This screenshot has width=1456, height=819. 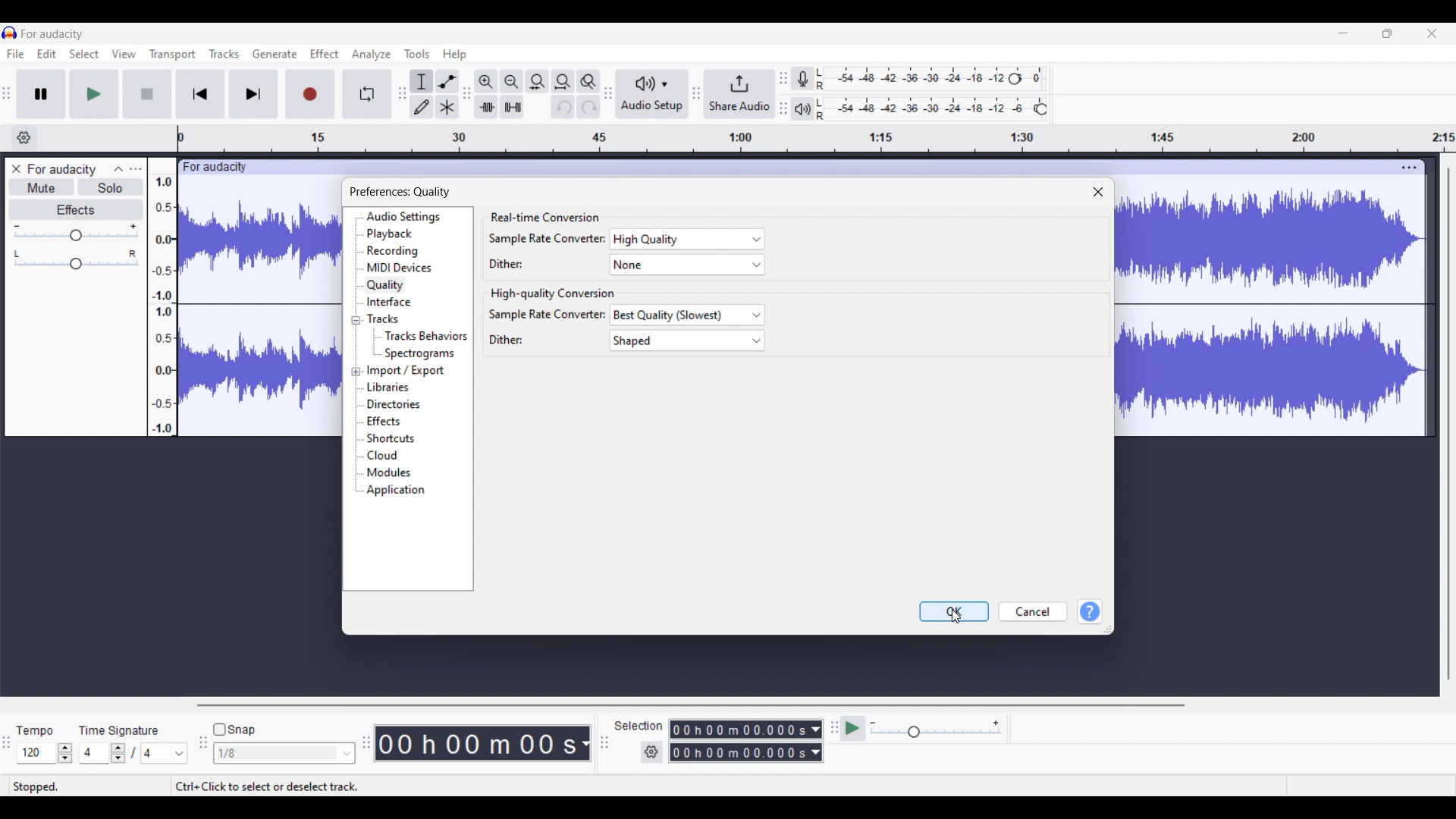 What do you see at coordinates (390, 234) in the screenshot?
I see `Playback` at bounding box center [390, 234].